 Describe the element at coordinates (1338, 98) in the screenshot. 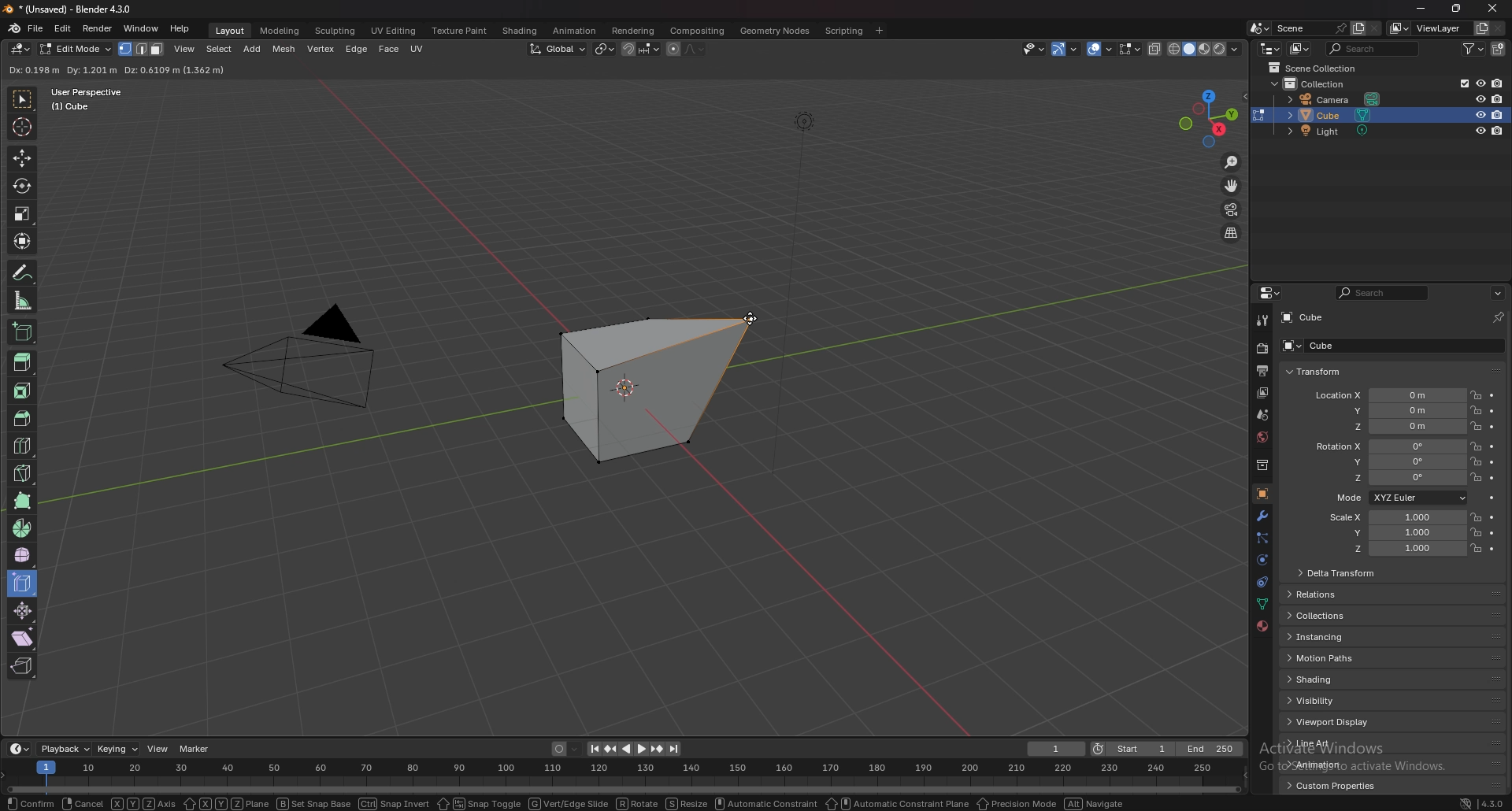

I see `camera` at that location.